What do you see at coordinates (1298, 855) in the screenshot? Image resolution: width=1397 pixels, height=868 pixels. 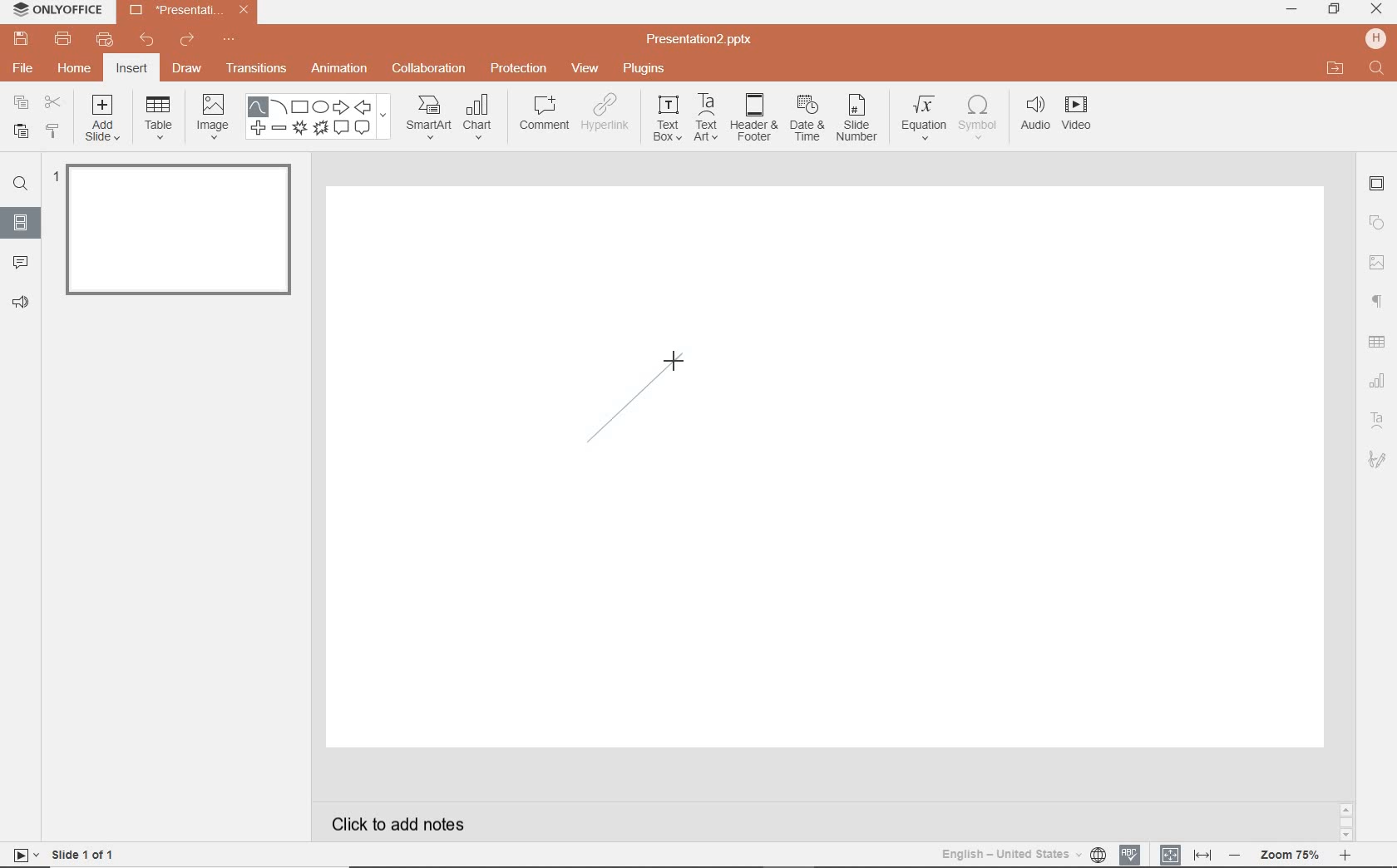 I see `ZOOM` at bounding box center [1298, 855].